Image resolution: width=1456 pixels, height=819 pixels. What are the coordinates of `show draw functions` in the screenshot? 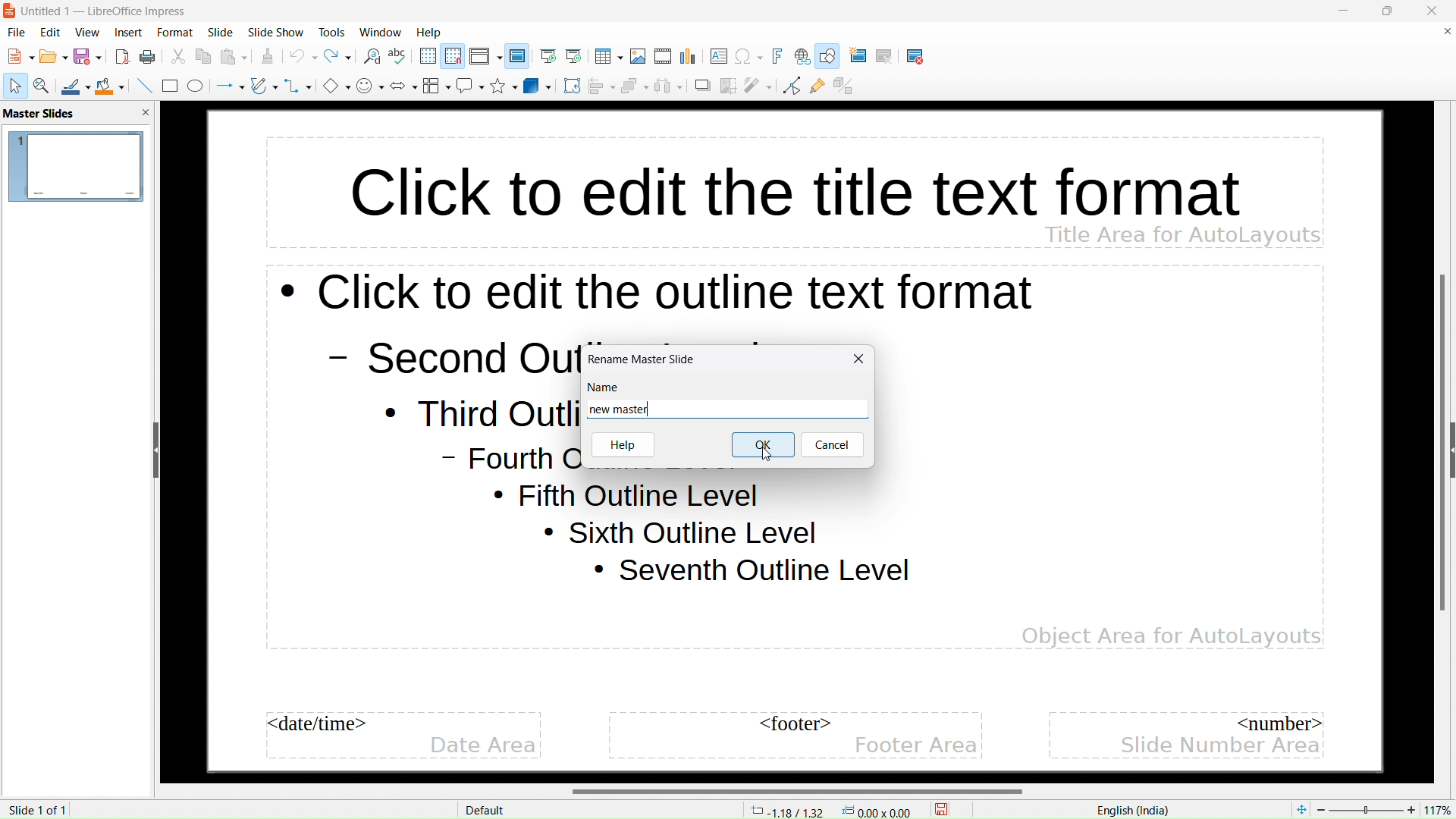 It's located at (828, 56).